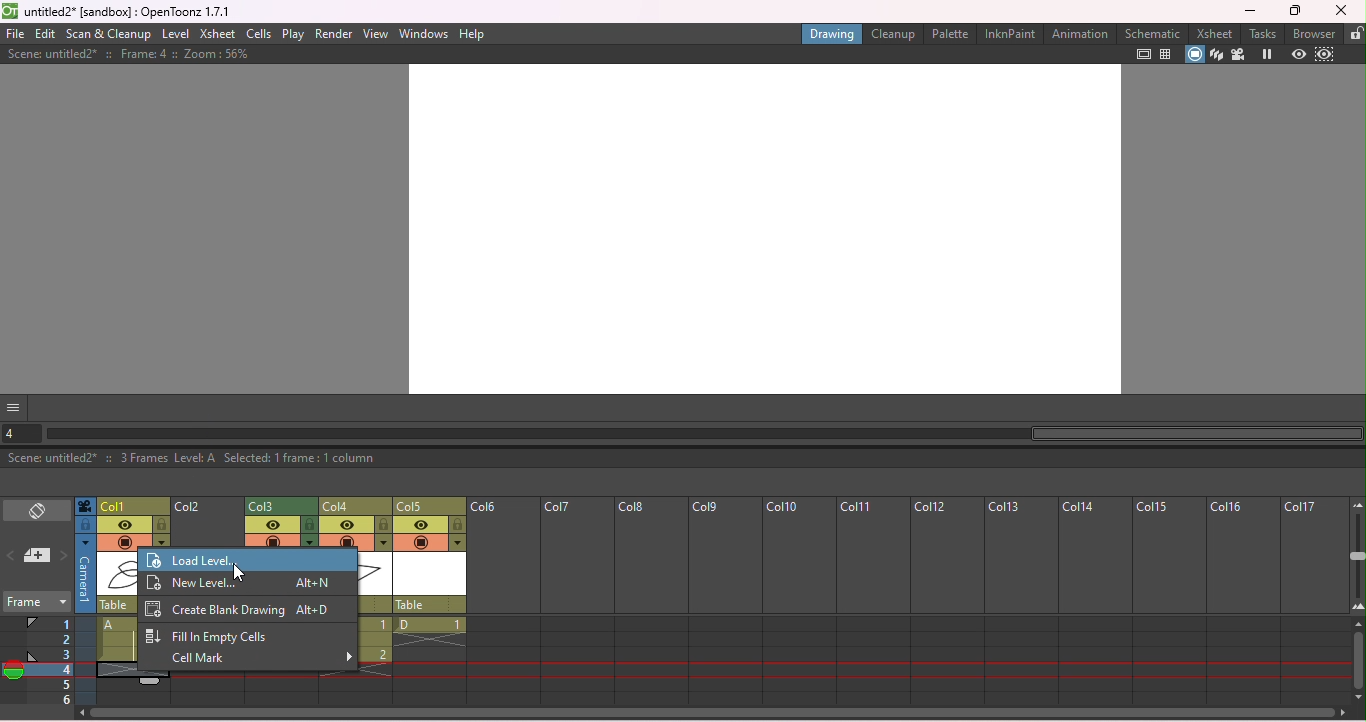 The height and width of the screenshot is (722, 1366). What do you see at coordinates (873, 602) in the screenshot?
I see `column 11` at bounding box center [873, 602].